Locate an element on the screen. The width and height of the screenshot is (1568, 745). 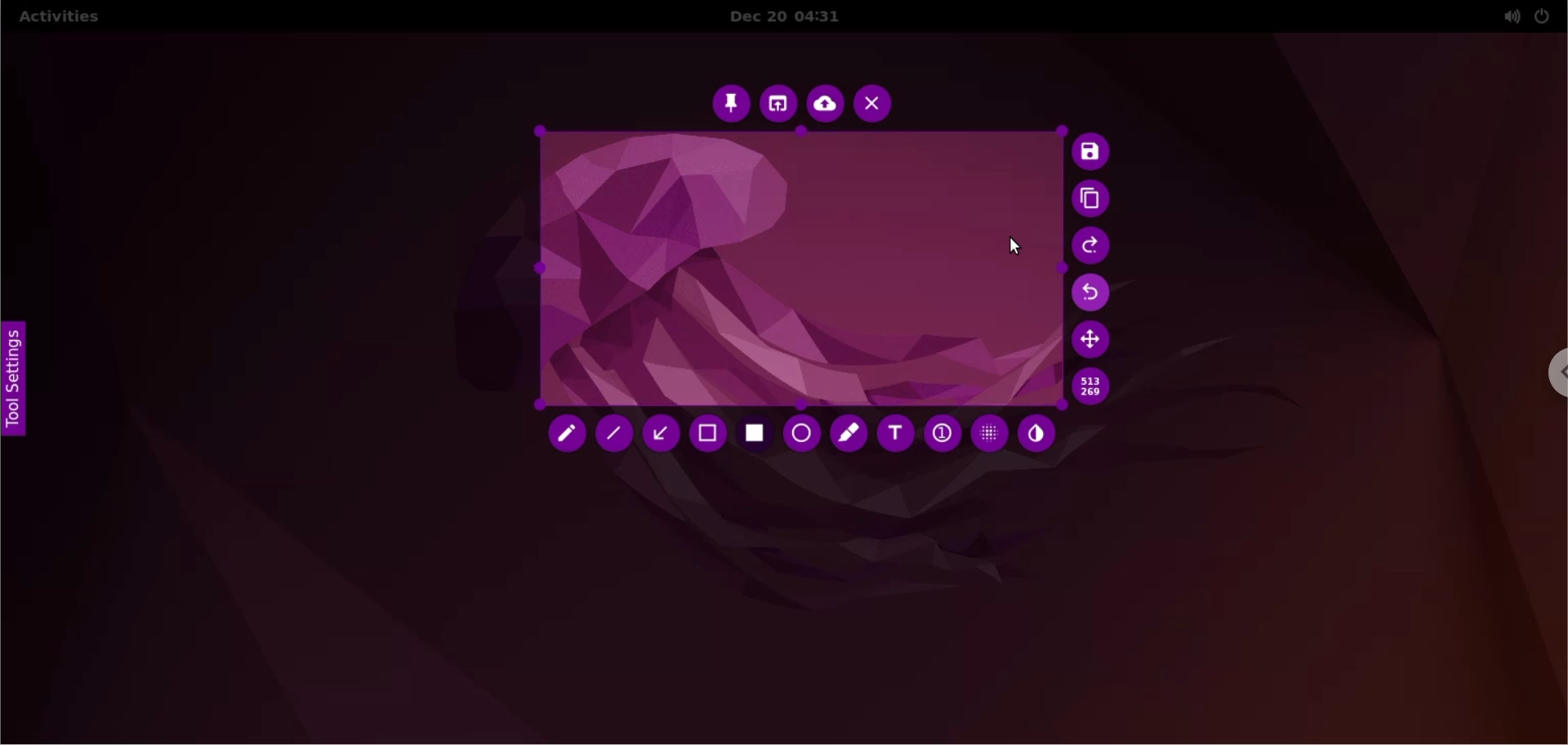
marker tool is located at coordinates (849, 436).